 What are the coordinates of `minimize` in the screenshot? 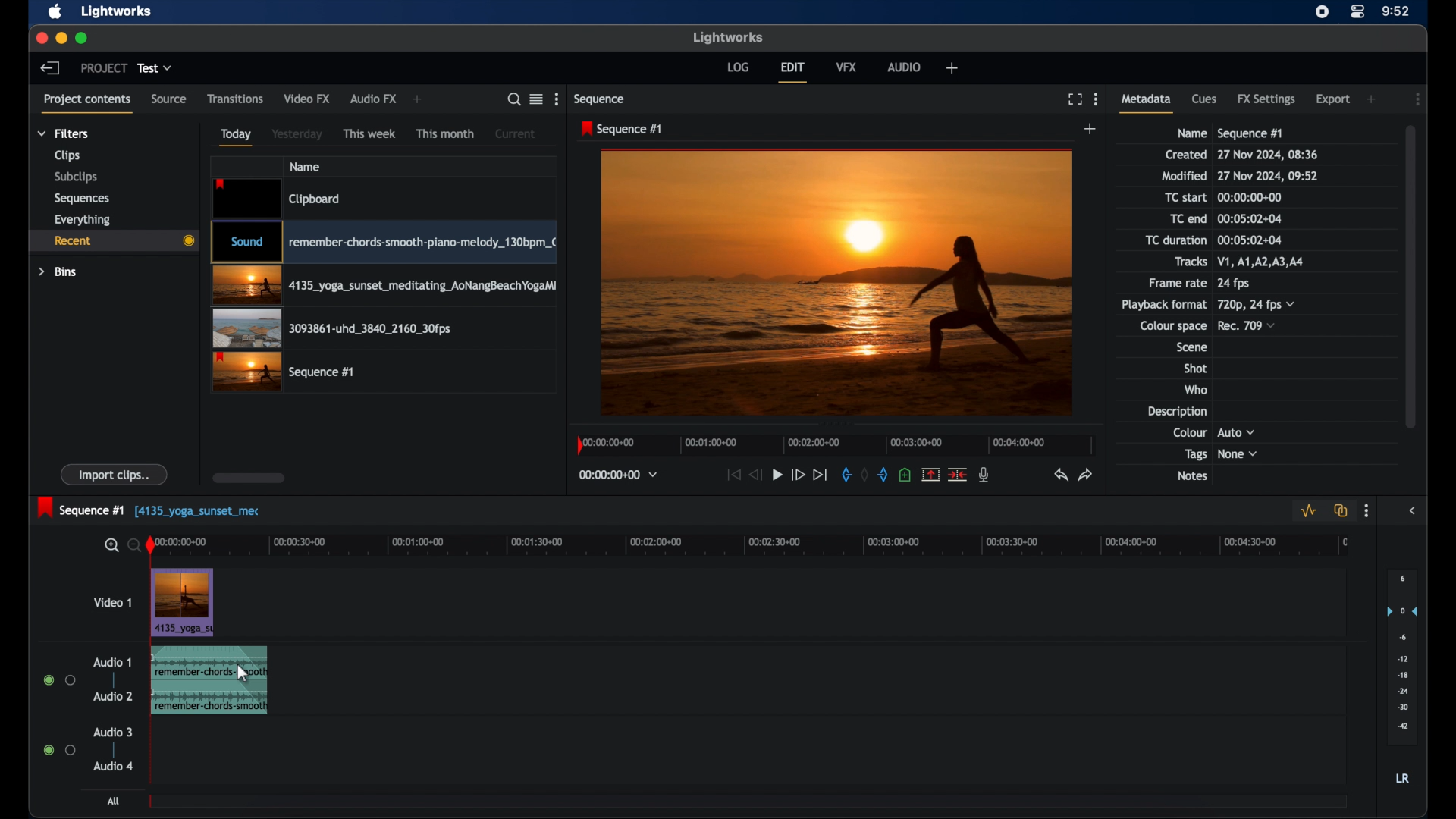 It's located at (62, 38).